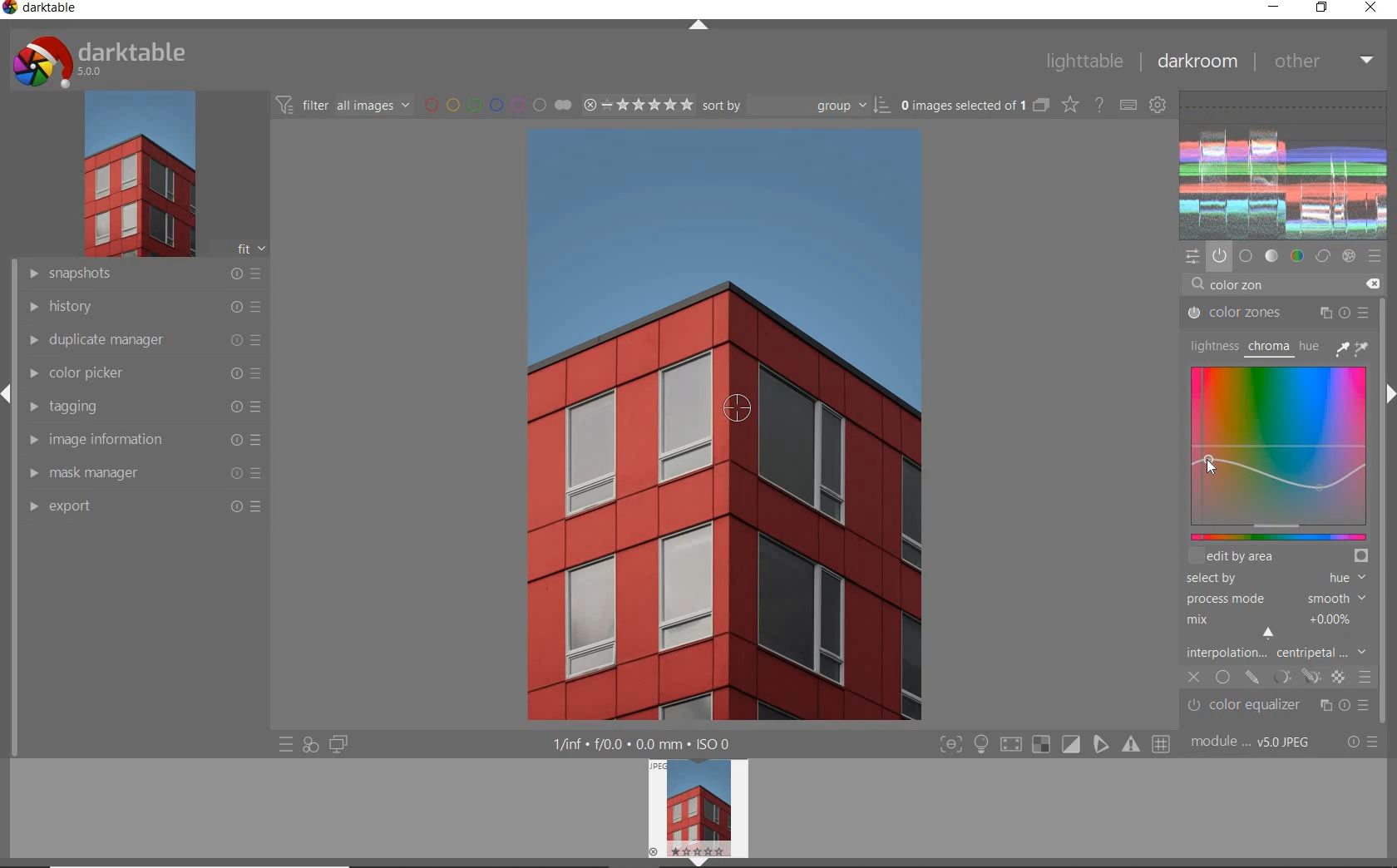  Describe the element at coordinates (1276, 452) in the screenshot. I see `MAP` at that location.